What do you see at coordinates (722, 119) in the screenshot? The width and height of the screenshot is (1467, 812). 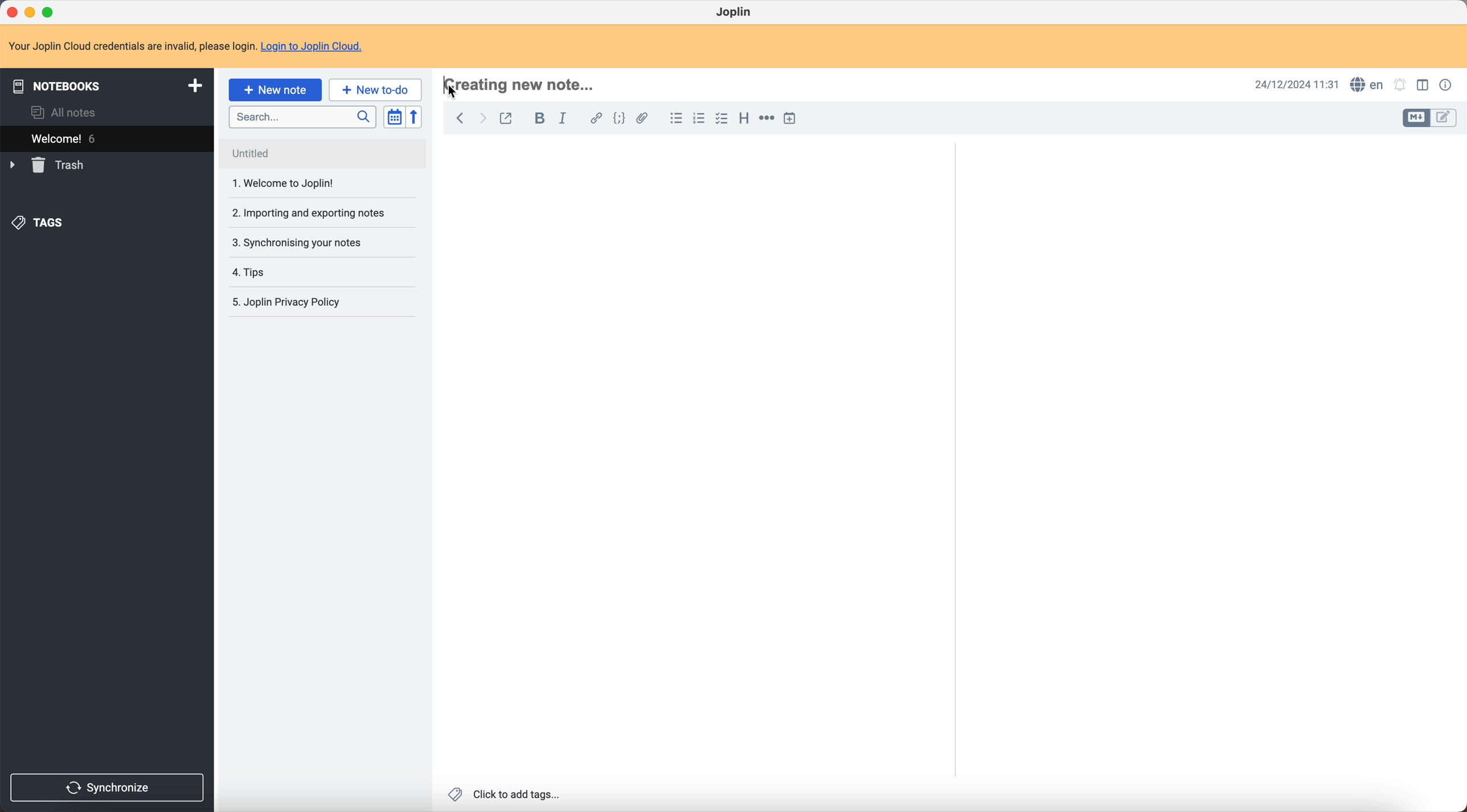 I see `check list` at bounding box center [722, 119].